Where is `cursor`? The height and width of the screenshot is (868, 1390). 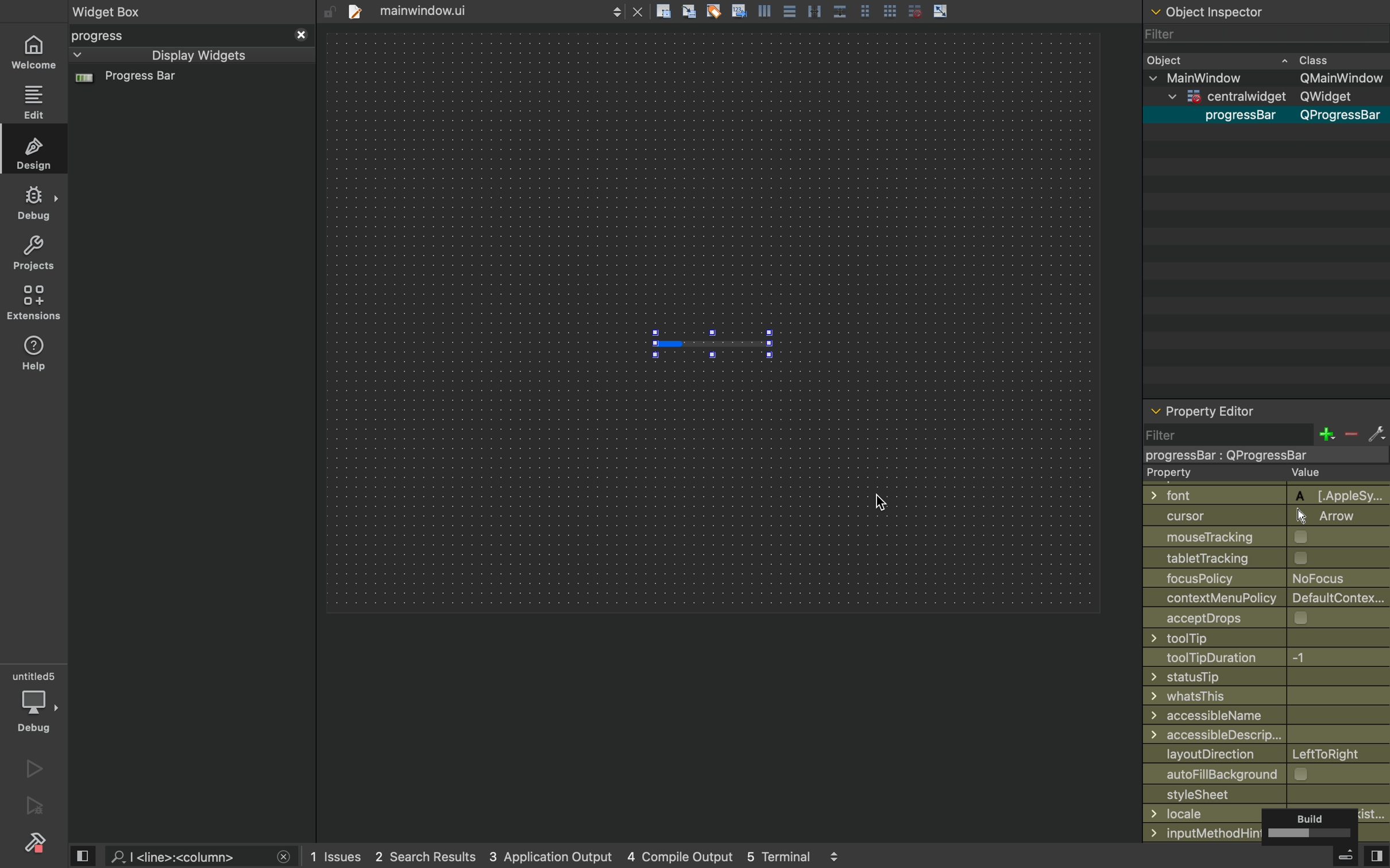 cursor is located at coordinates (882, 499).